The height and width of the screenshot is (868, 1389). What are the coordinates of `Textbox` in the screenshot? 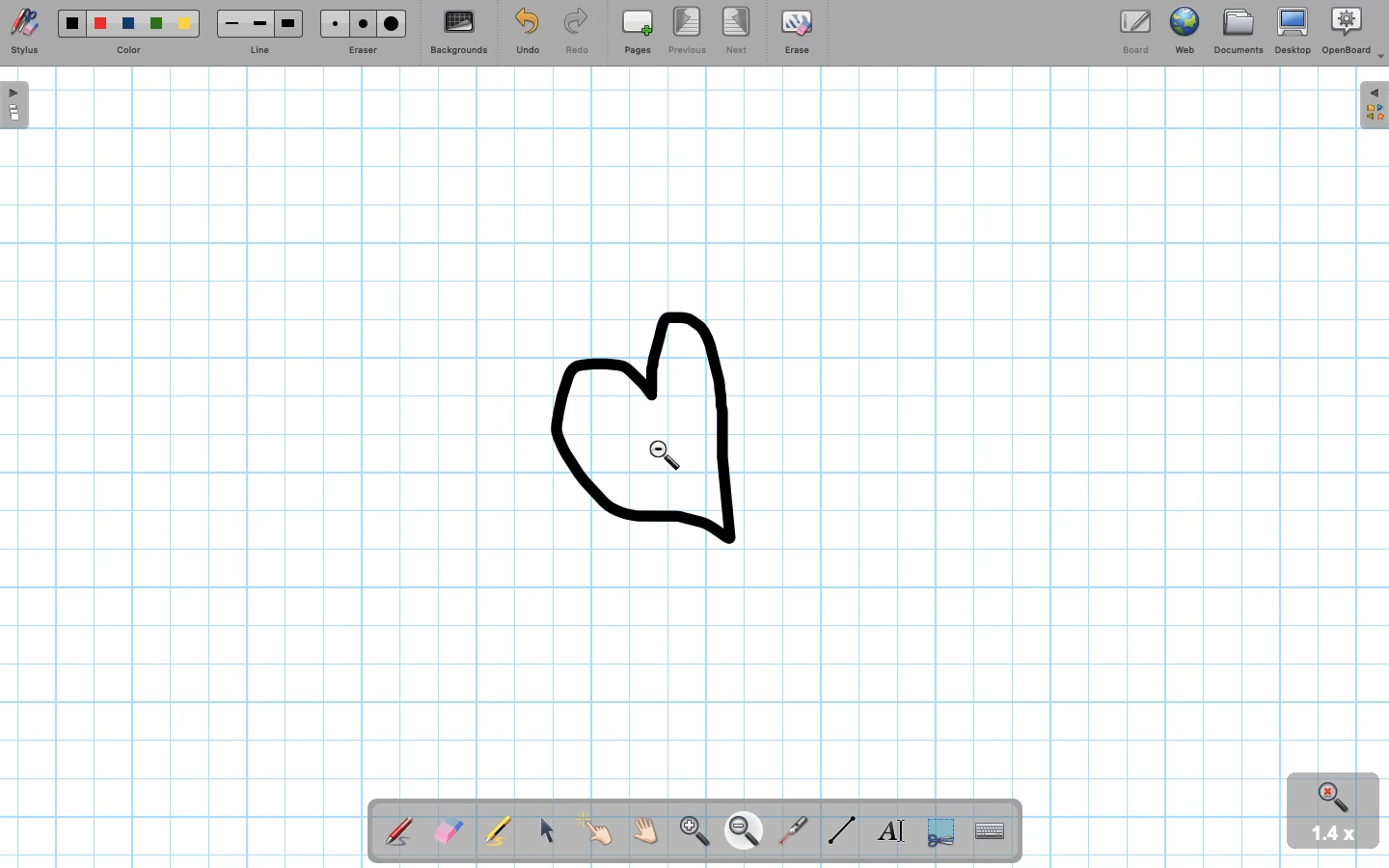 It's located at (890, 829).